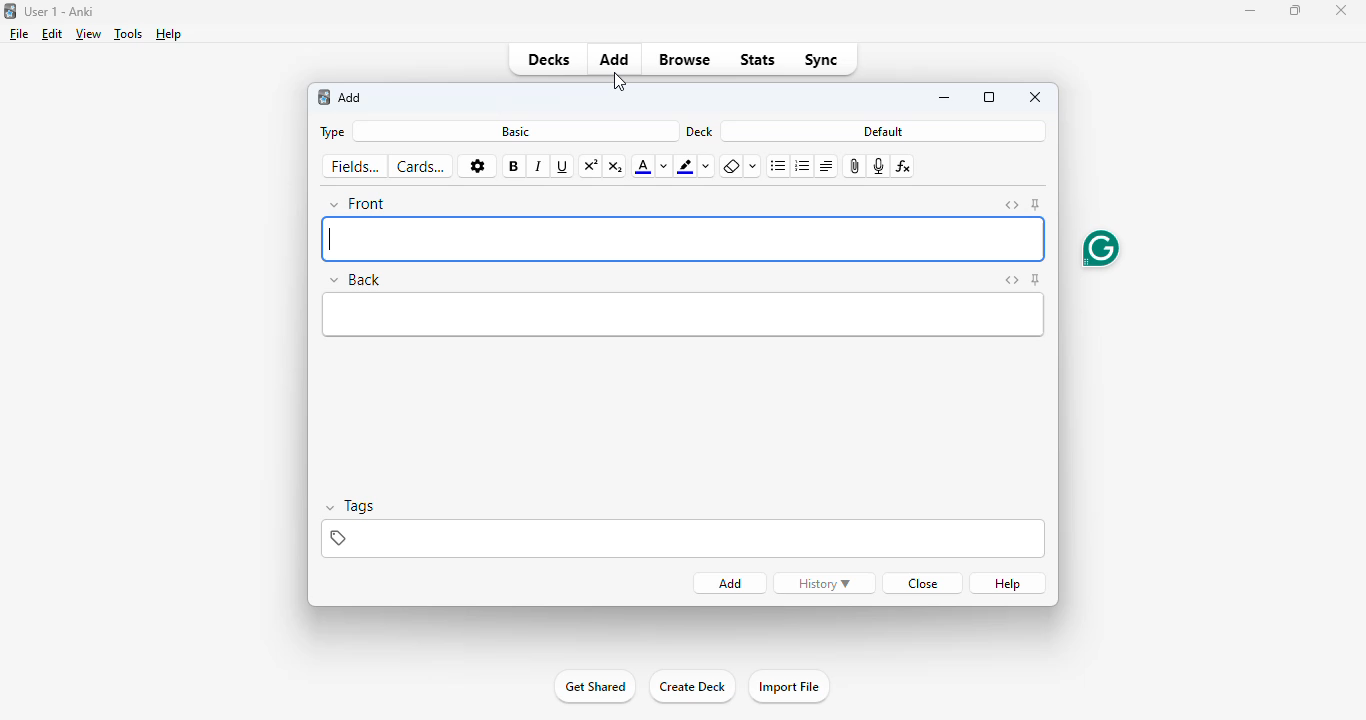  I want to click on cursor, so click(620, 82).